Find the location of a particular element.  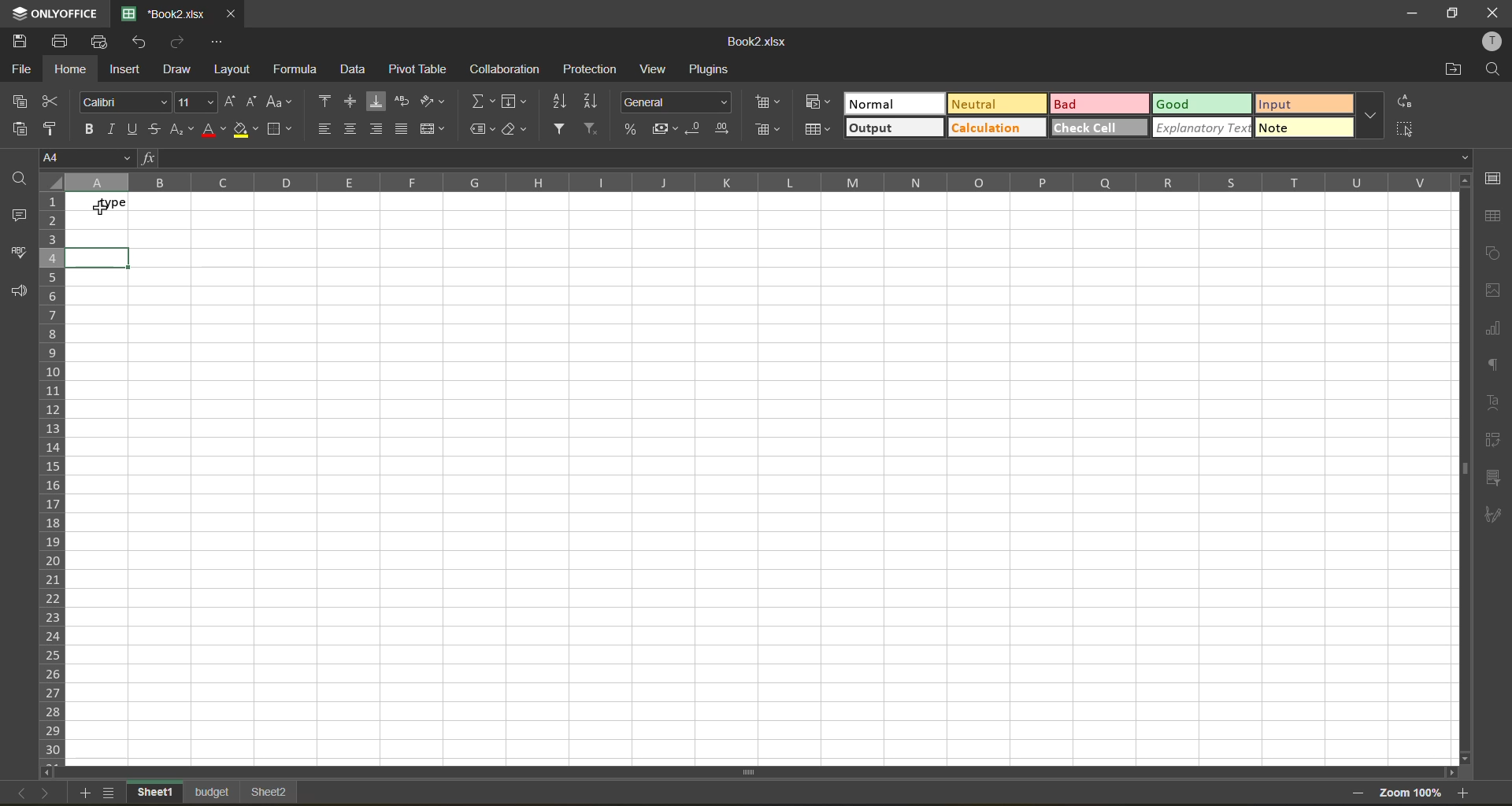

input is located at coordinates (1309, 105).